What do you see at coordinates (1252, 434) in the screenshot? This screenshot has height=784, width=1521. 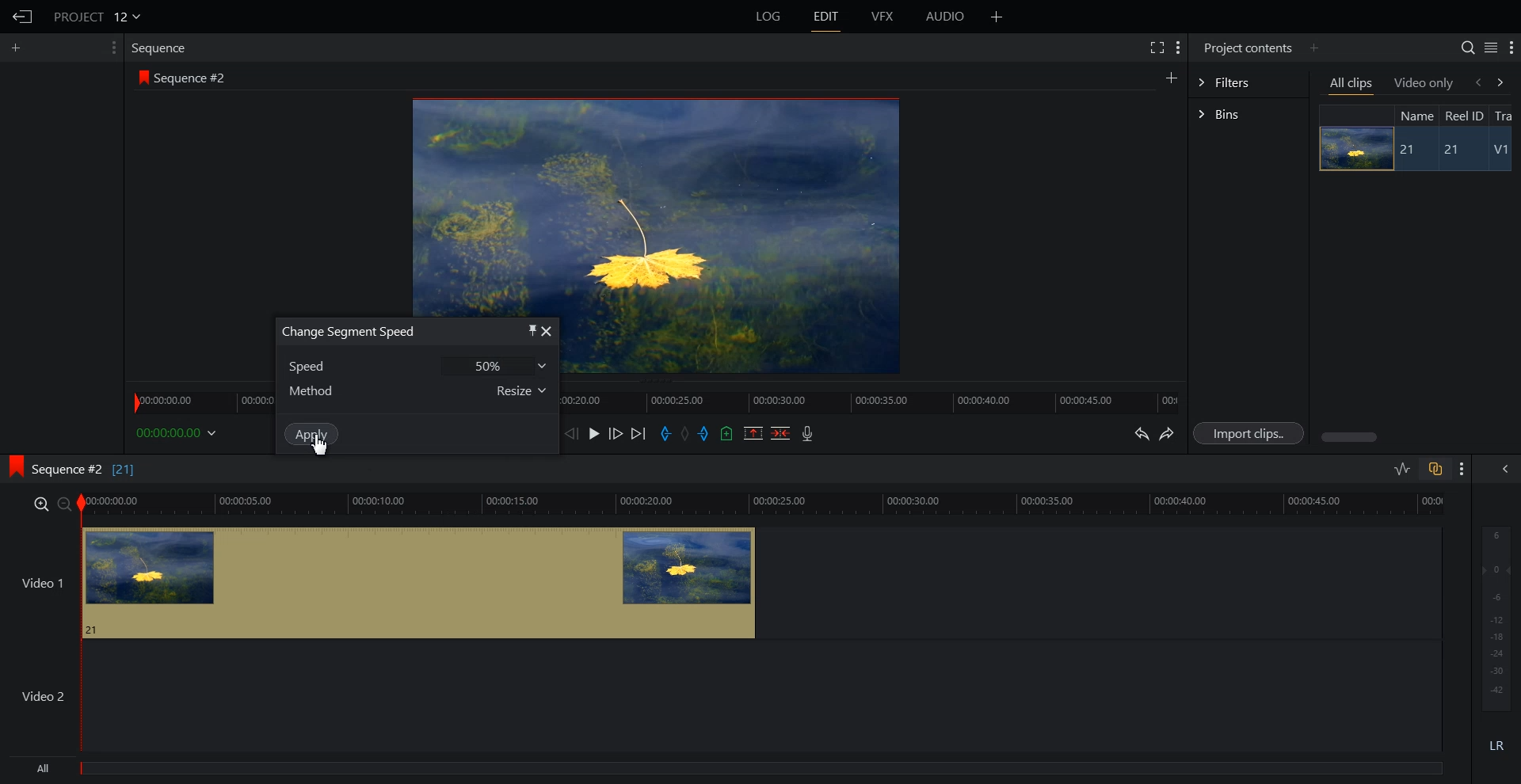 I see `Import clips` at bounding box center [1252, 434].